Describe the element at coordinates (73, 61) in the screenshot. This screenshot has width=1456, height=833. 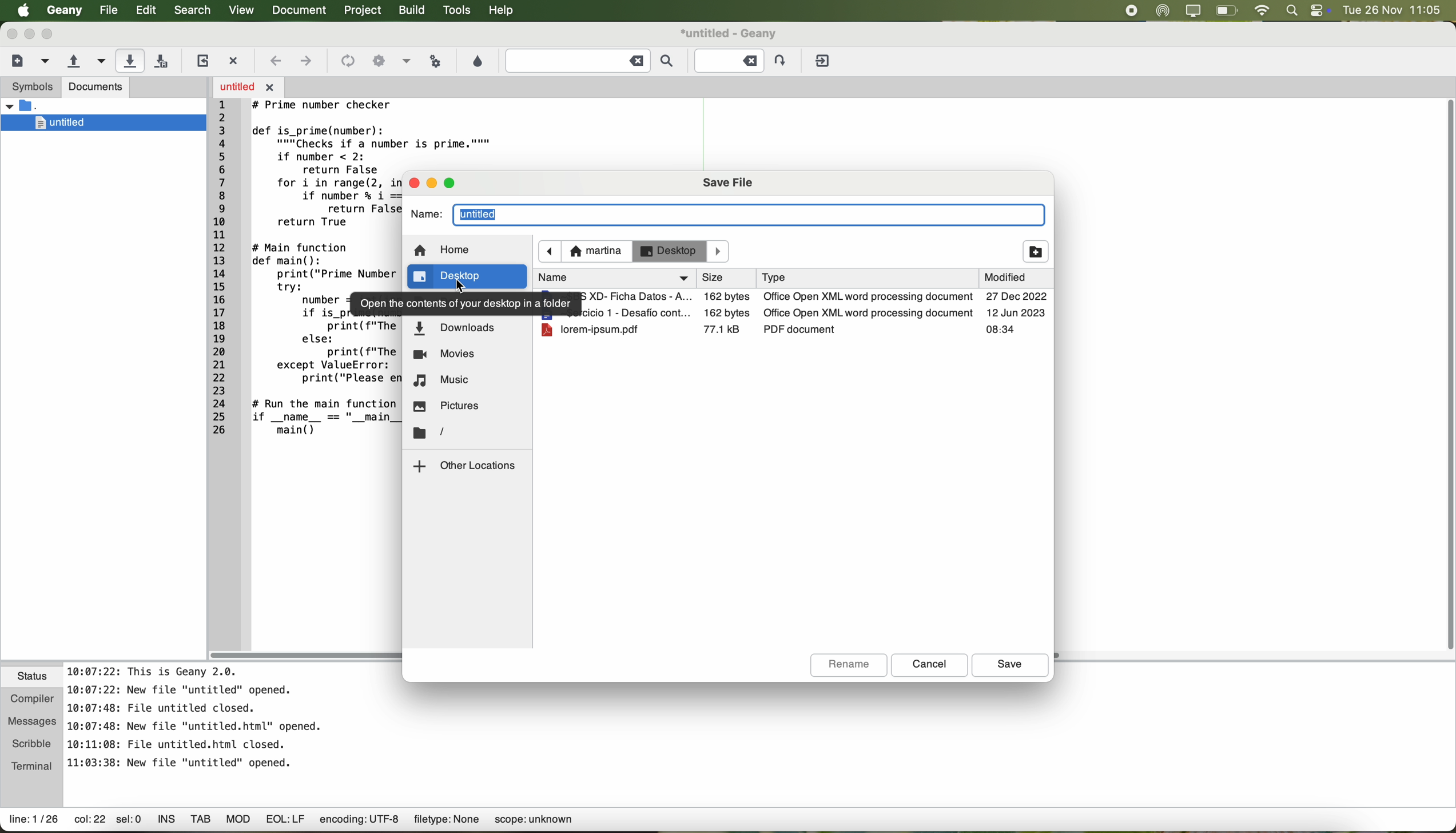
I see `open an existing file` at that location.